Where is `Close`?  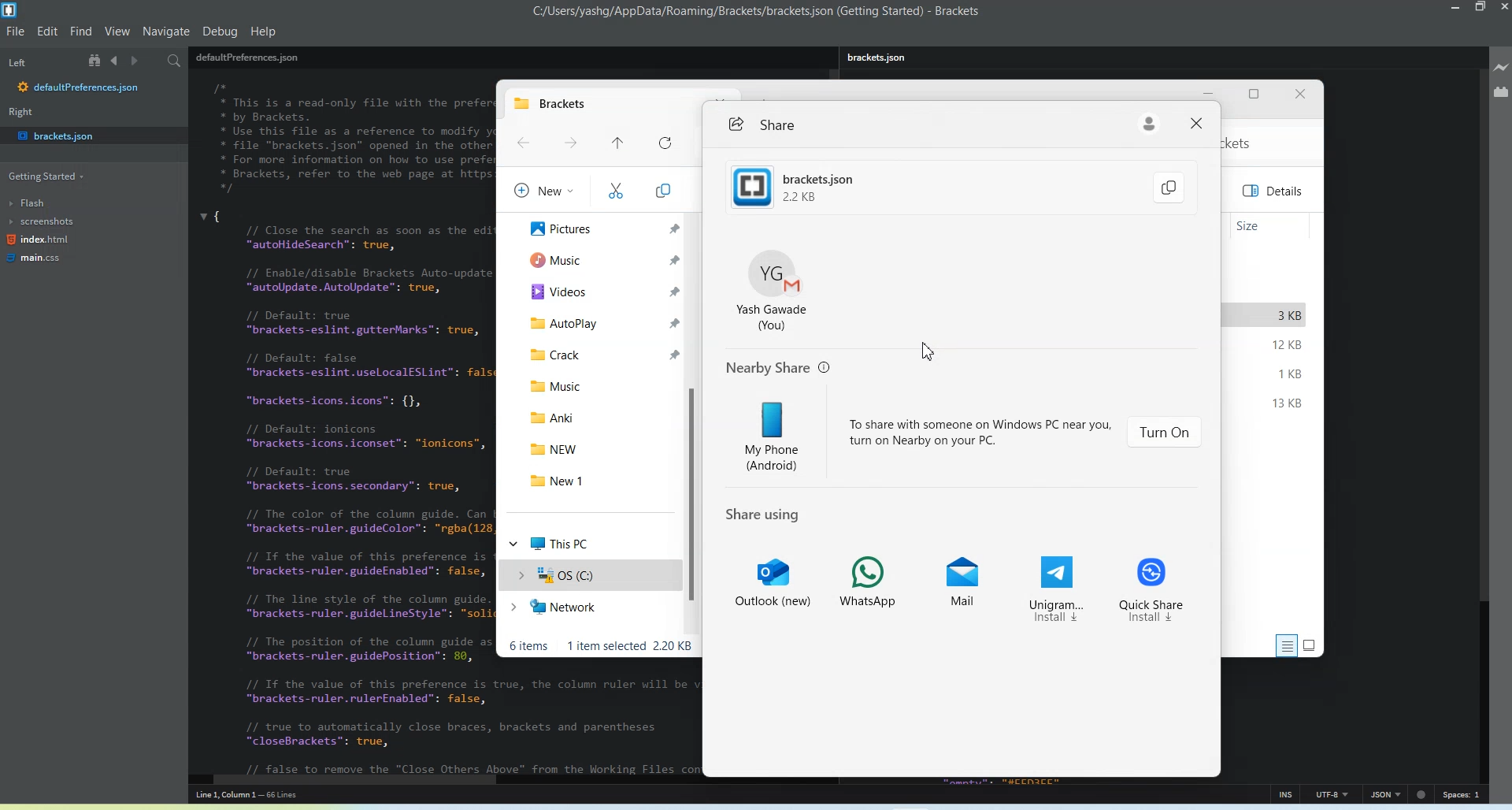
Close is located at coordinates (1302, 95).